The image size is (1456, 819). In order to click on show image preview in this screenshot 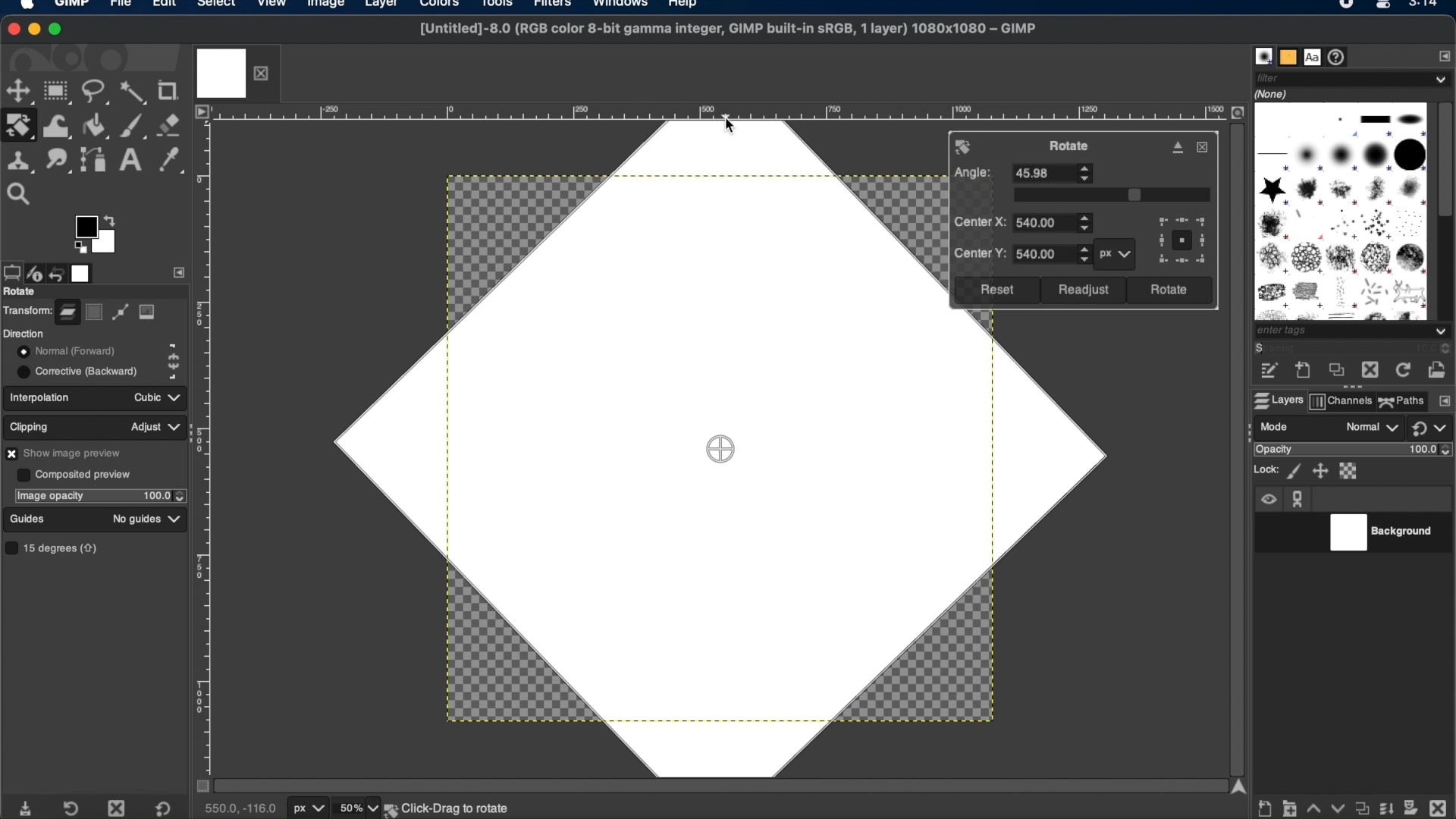, I will do `click(67, 453)`.